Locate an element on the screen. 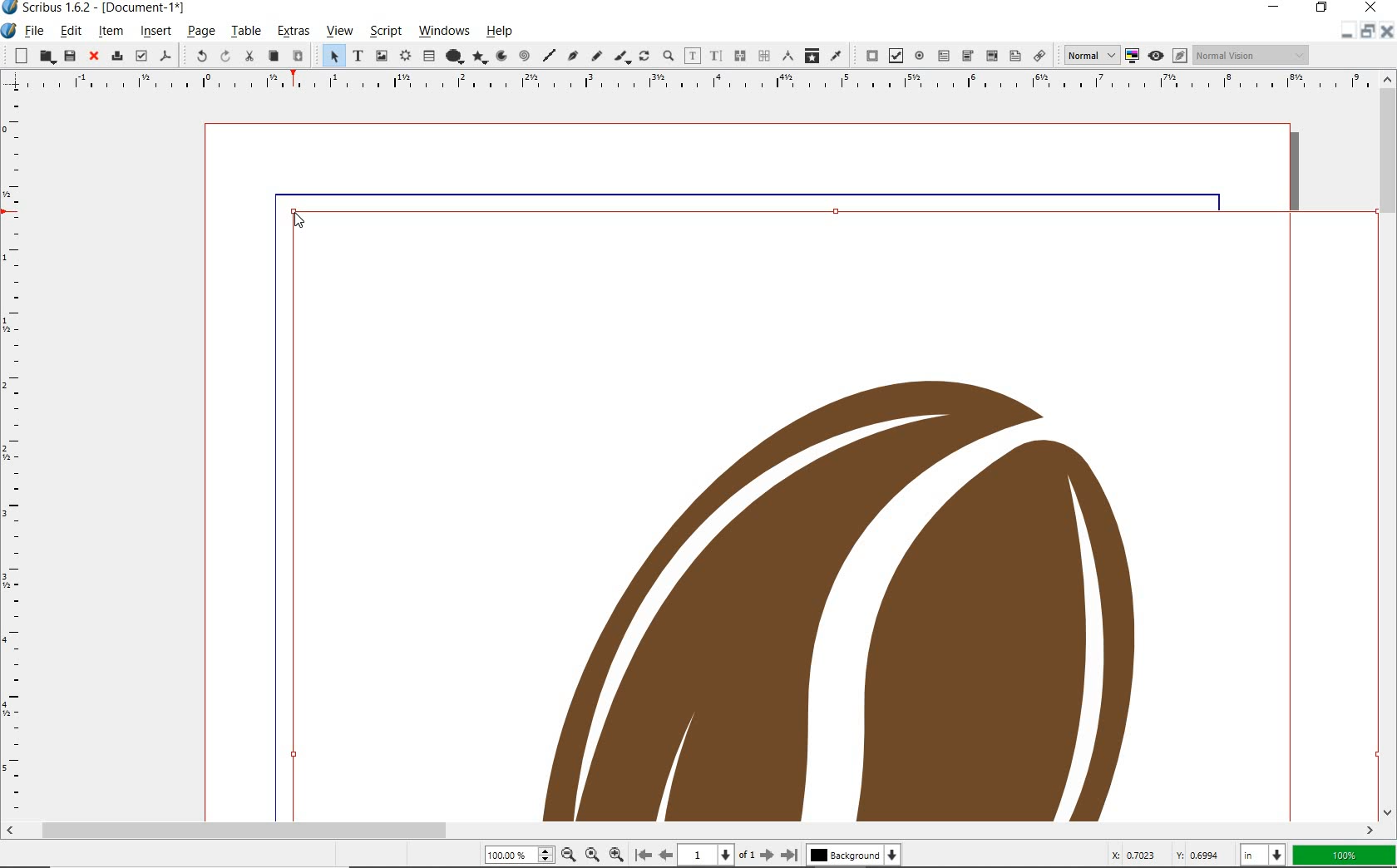  undo is located at coordinates (198, 56).